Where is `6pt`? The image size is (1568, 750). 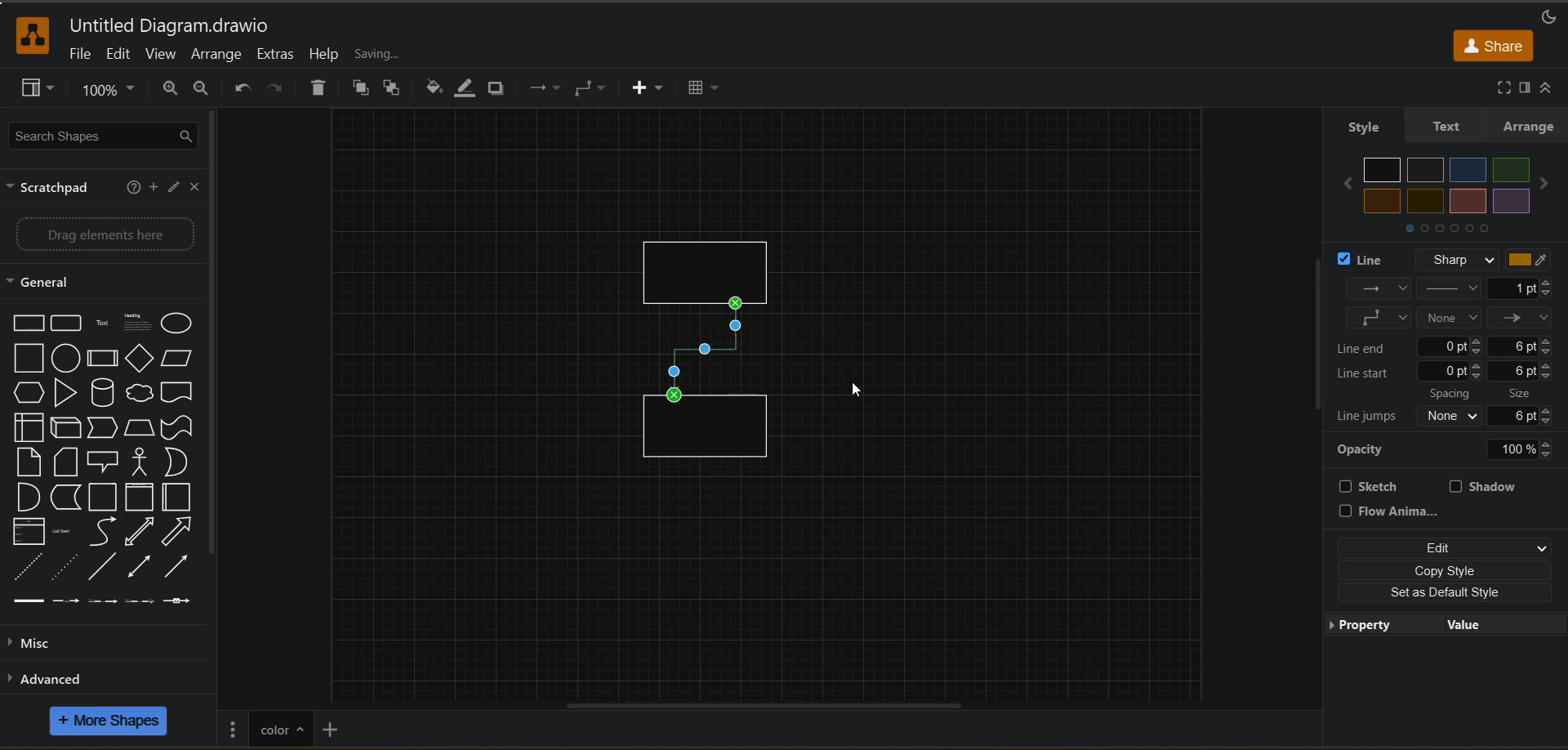 6pt is located at coordinates (1522, 371).